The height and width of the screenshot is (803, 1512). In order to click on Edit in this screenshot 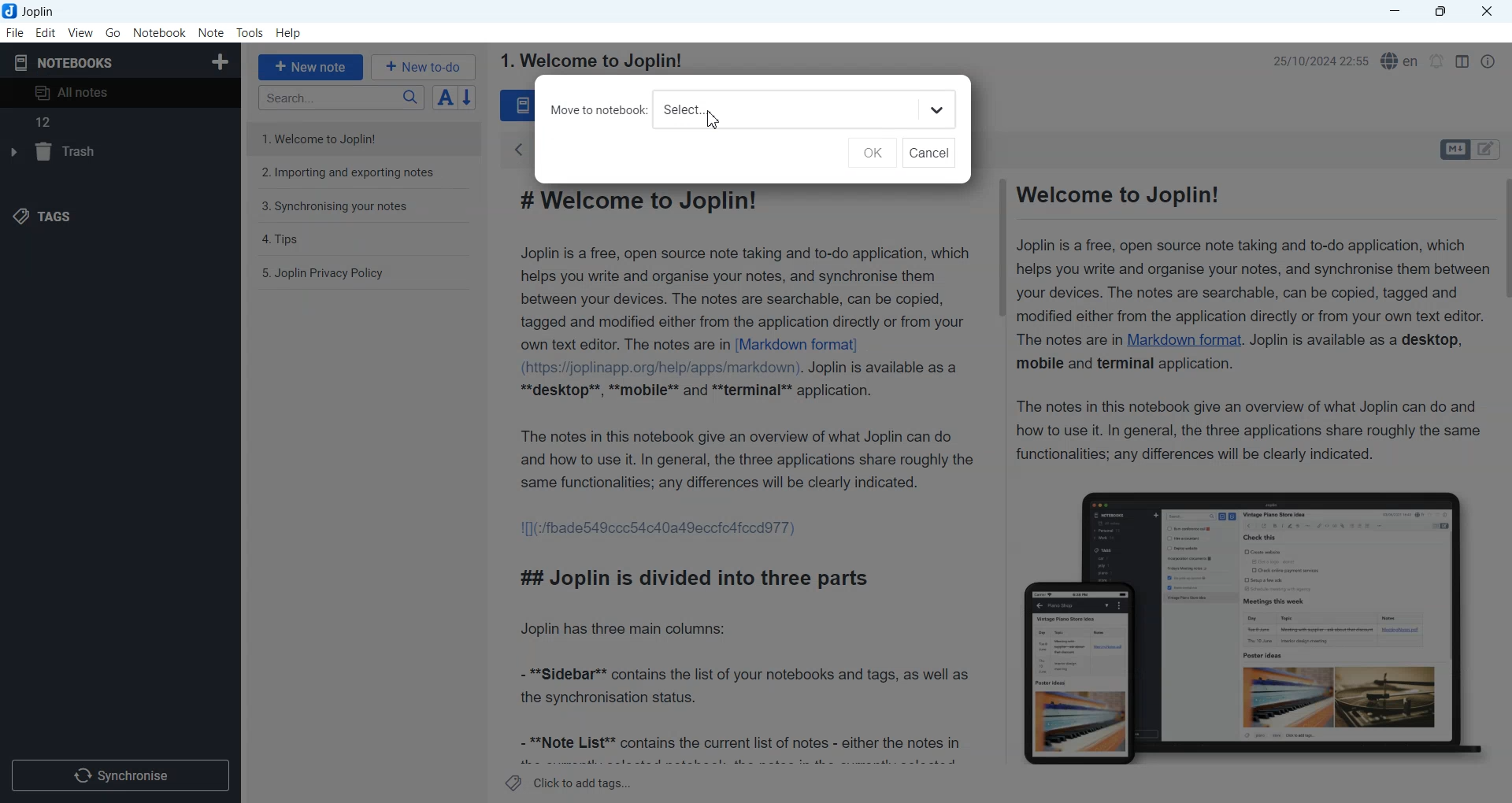, I will do `click(46, 32)`.